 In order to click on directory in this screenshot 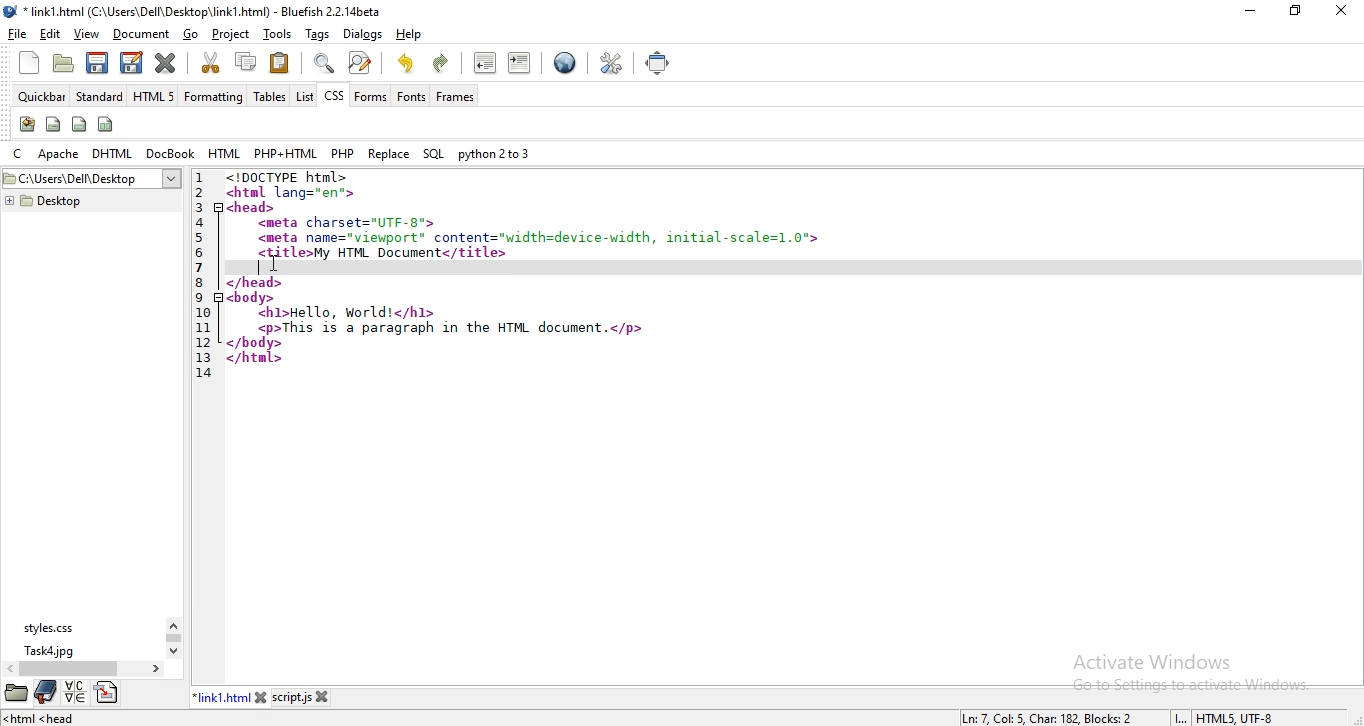, I will do `click(107, 692)`.